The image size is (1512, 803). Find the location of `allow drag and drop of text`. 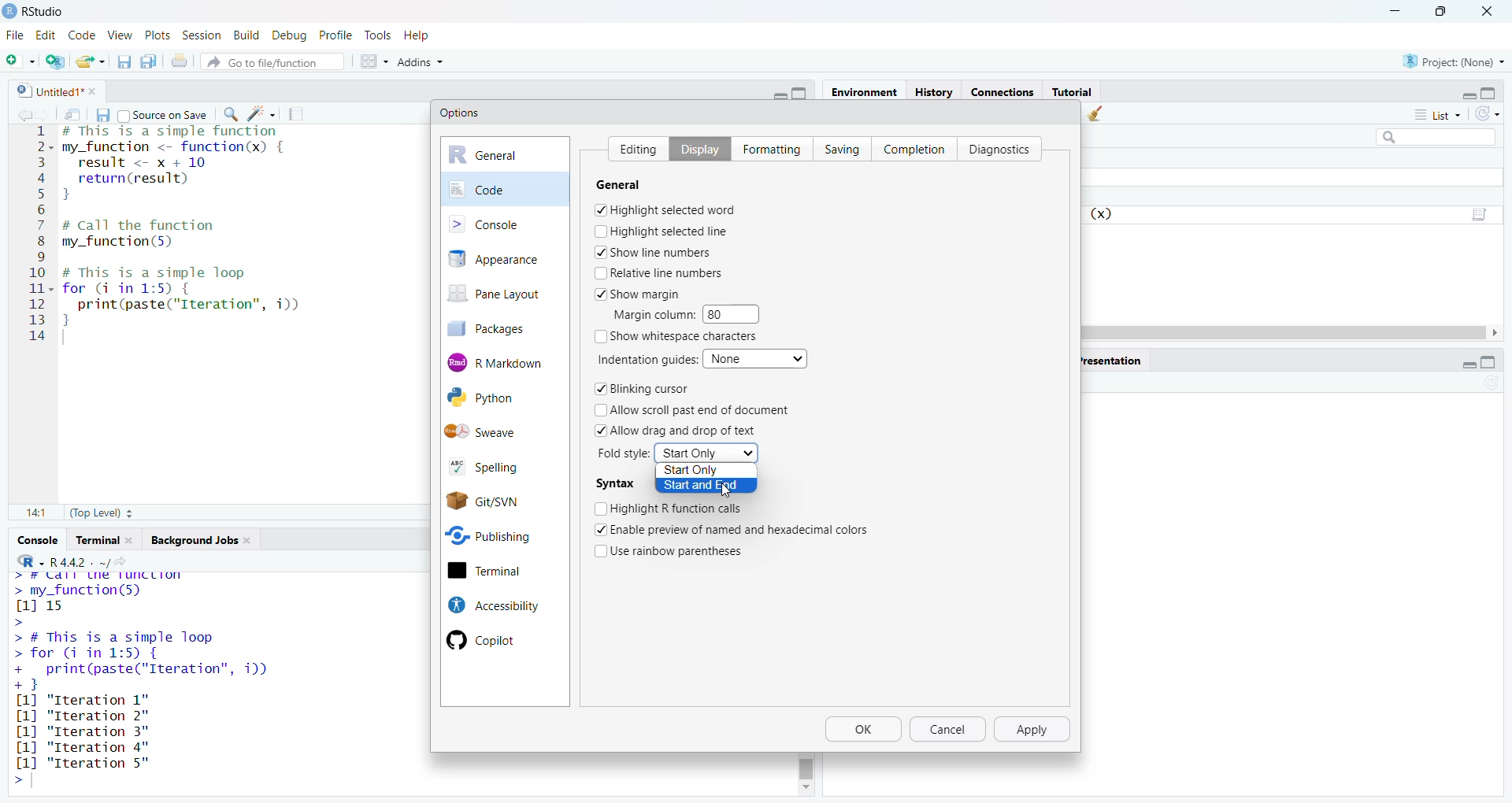

allow drag and drop of text is located at coordinates (677, 430).